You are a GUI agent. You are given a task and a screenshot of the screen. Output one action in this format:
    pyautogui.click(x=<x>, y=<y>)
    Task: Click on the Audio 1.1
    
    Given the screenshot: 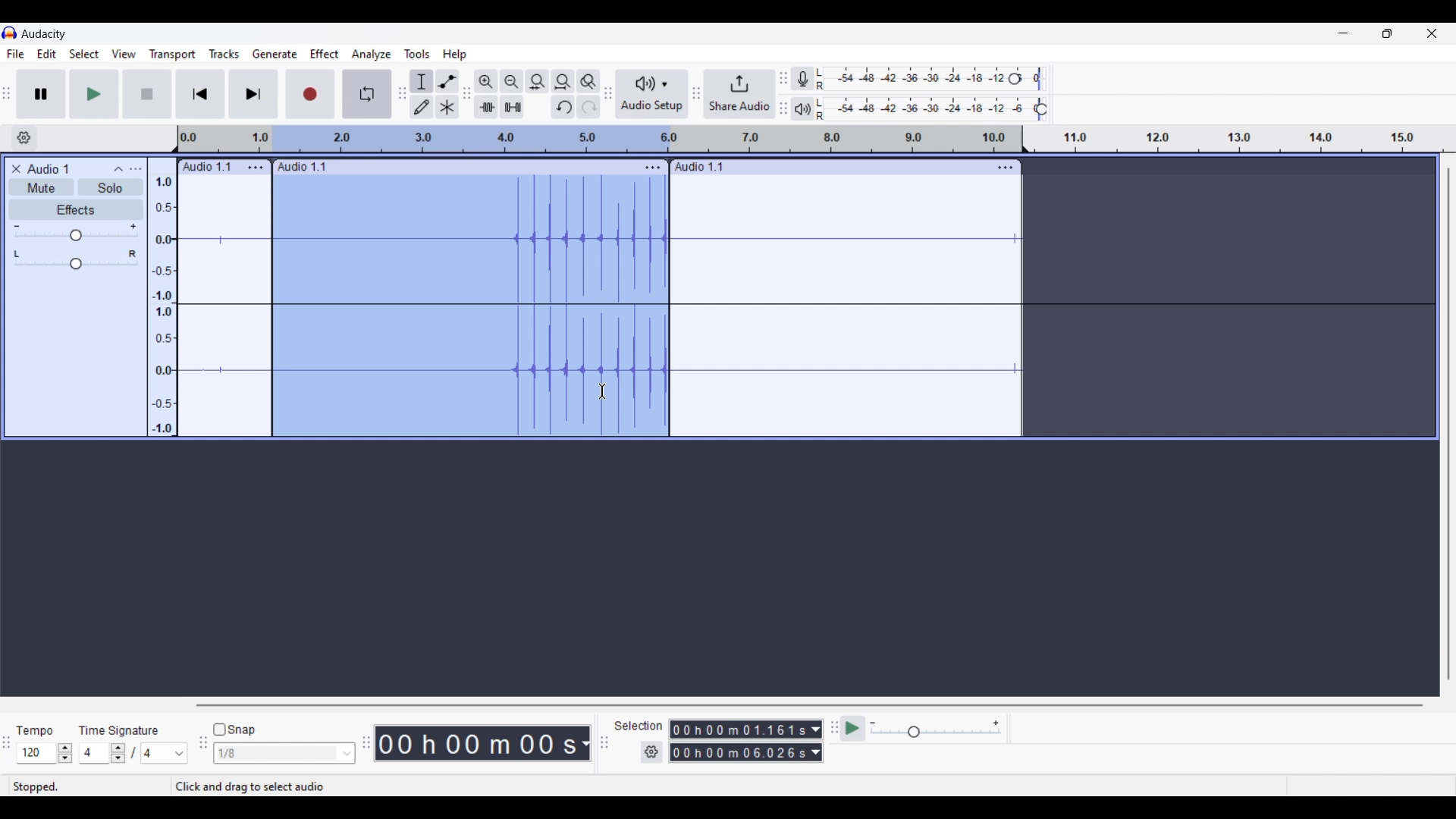 What is the action you would take?
    pyautogui.click(x=707, y=167)
    